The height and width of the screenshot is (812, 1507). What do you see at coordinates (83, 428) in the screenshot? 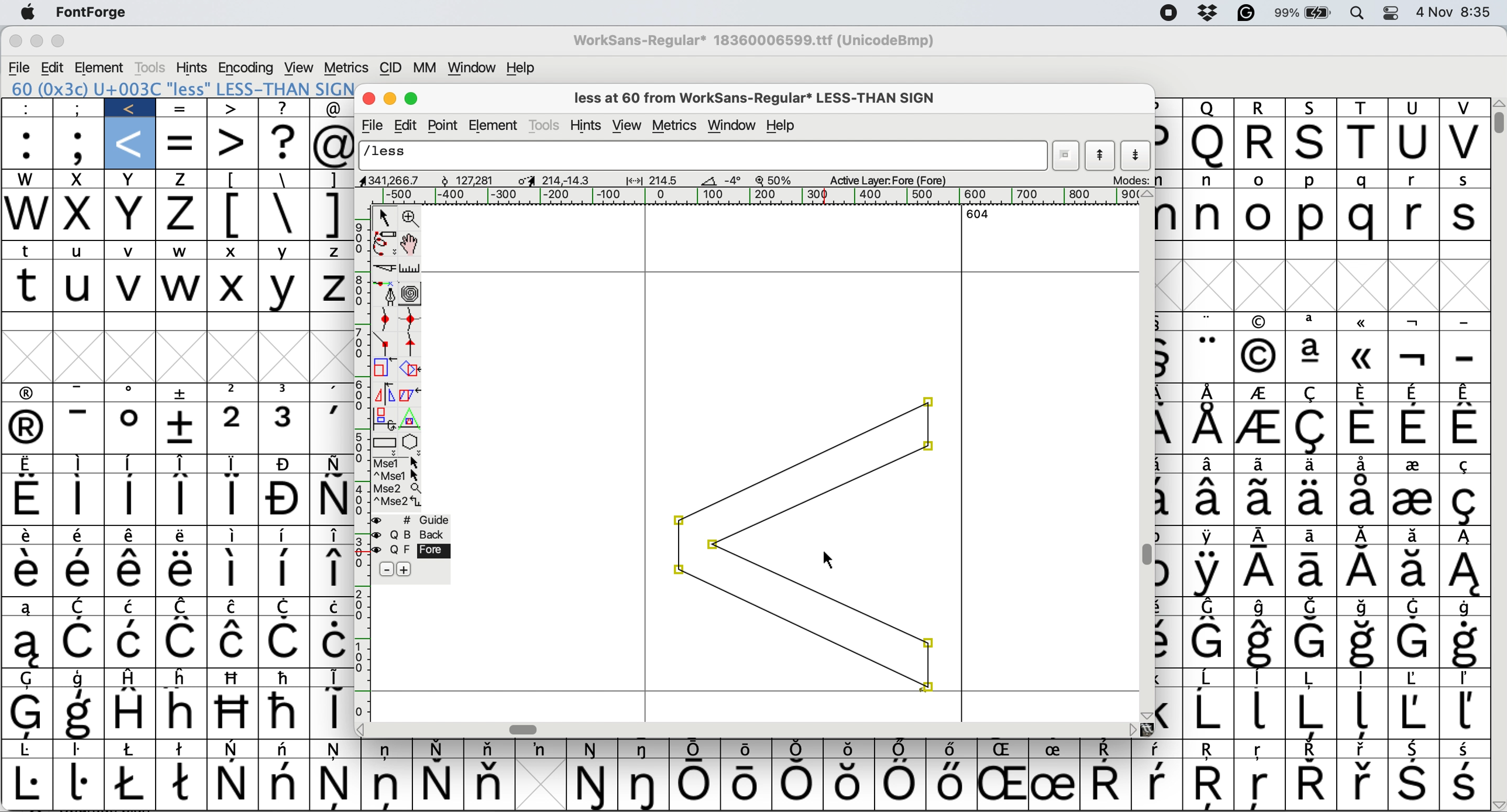
I see `-` at bounding box center [83, 428].